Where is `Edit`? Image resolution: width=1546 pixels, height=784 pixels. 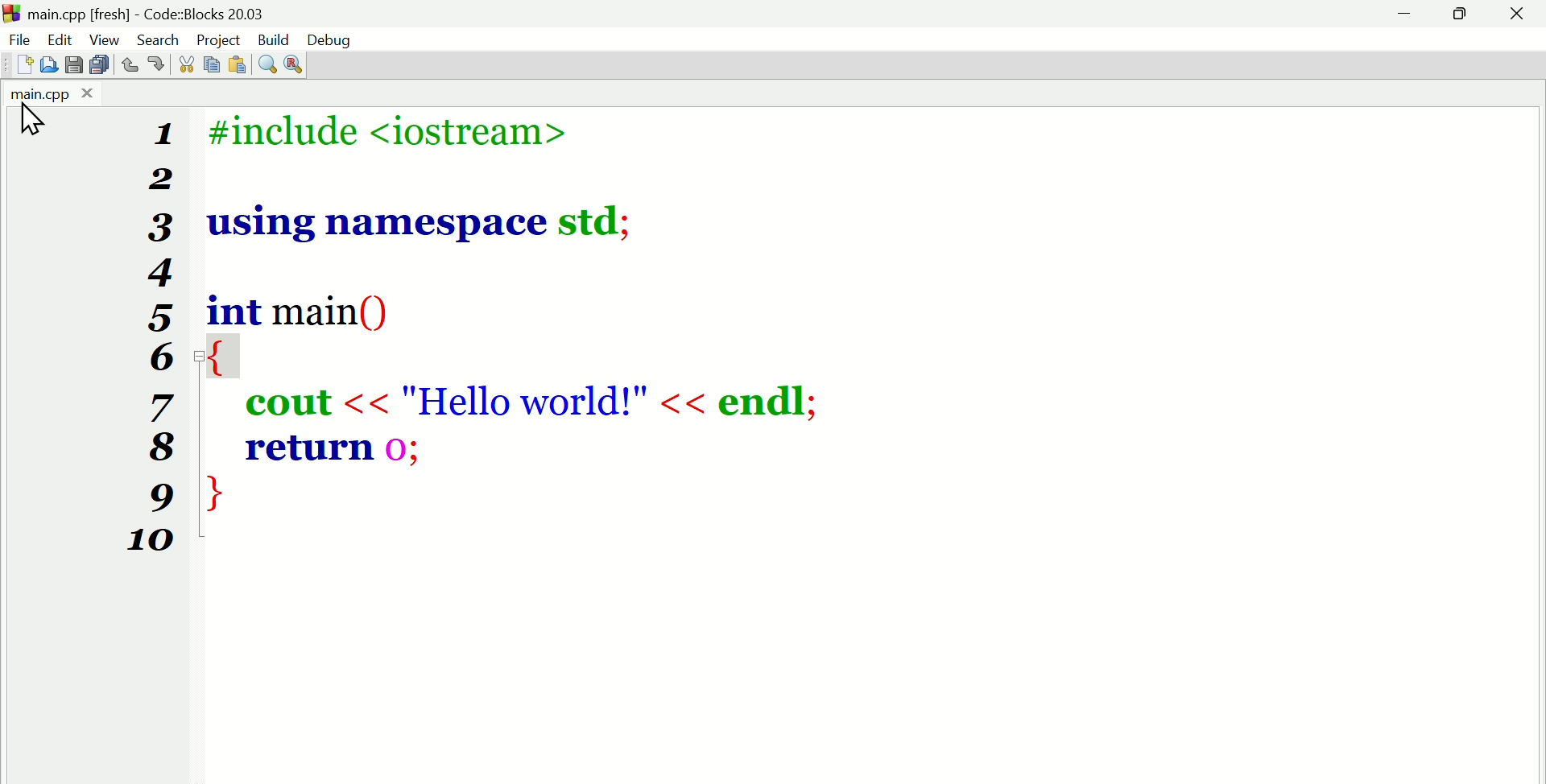 Edit is located at coordinates (62, 40).